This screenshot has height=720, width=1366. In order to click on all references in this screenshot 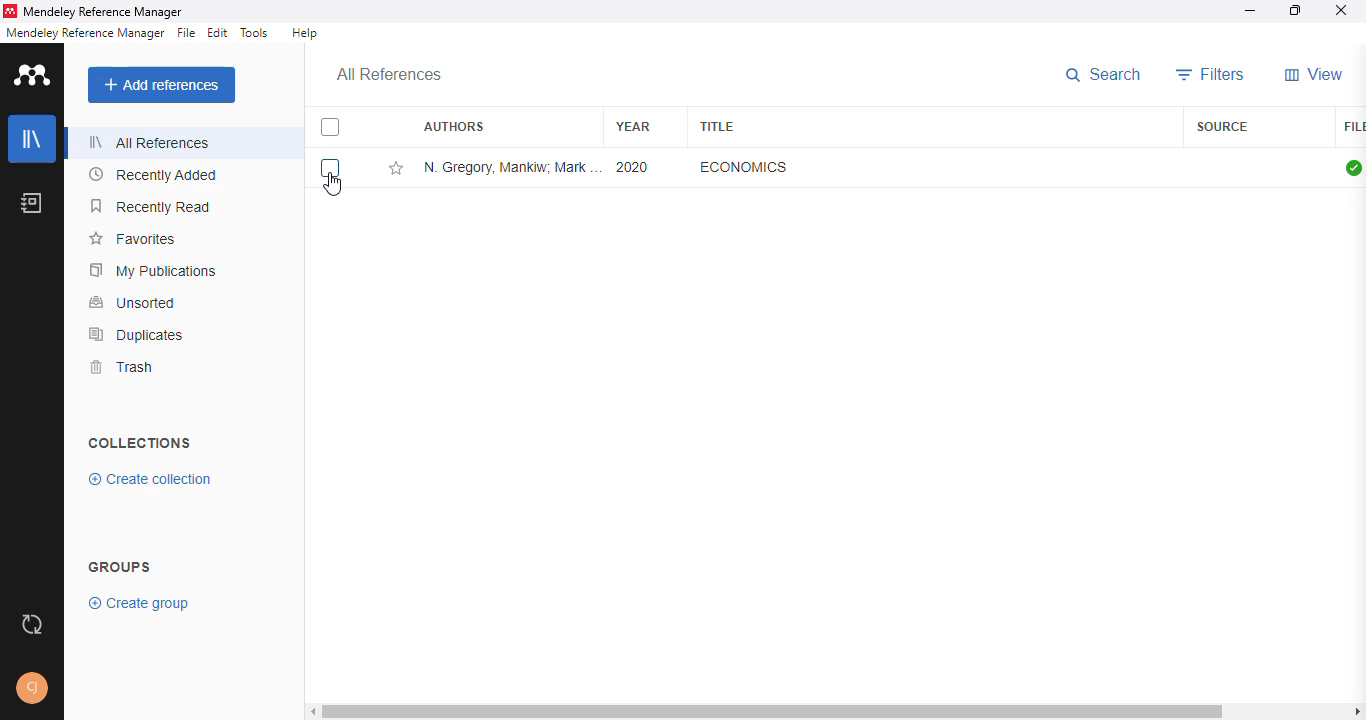, I will do `click(151, 141)`.